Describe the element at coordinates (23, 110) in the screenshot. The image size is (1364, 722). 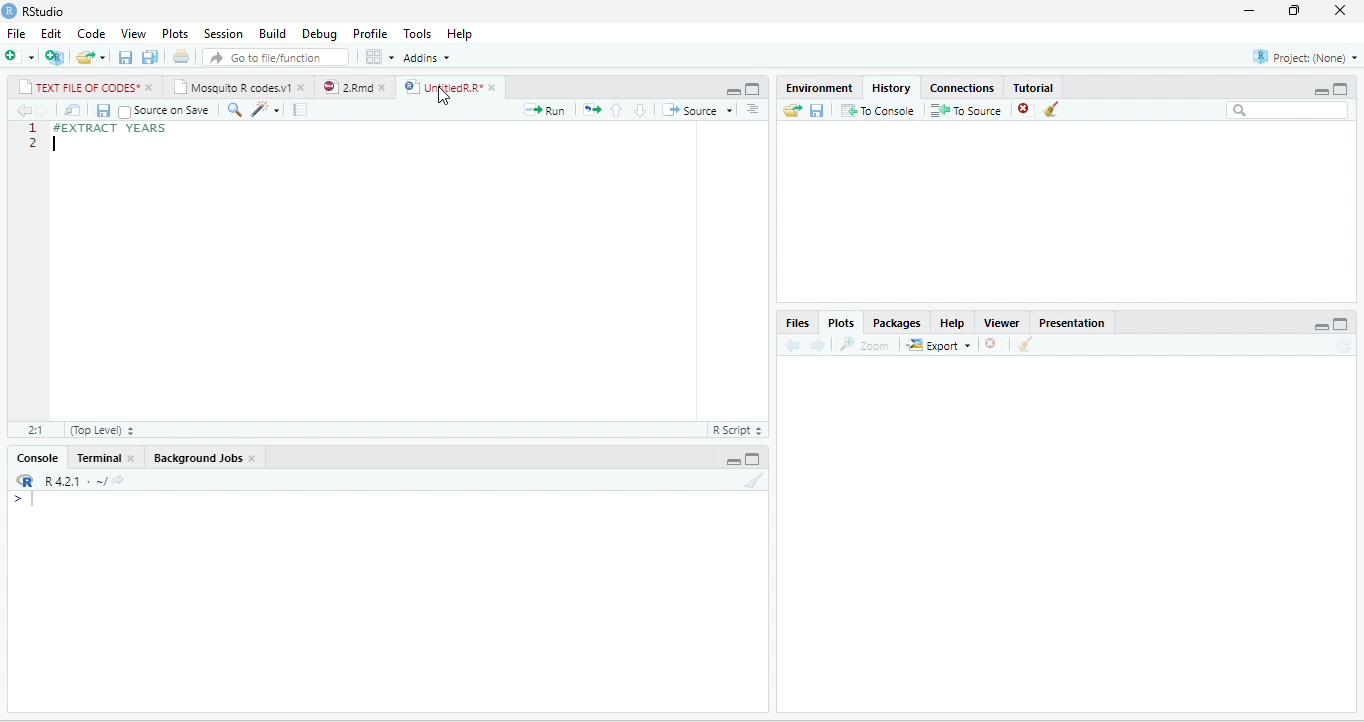
I see `back` at that location.